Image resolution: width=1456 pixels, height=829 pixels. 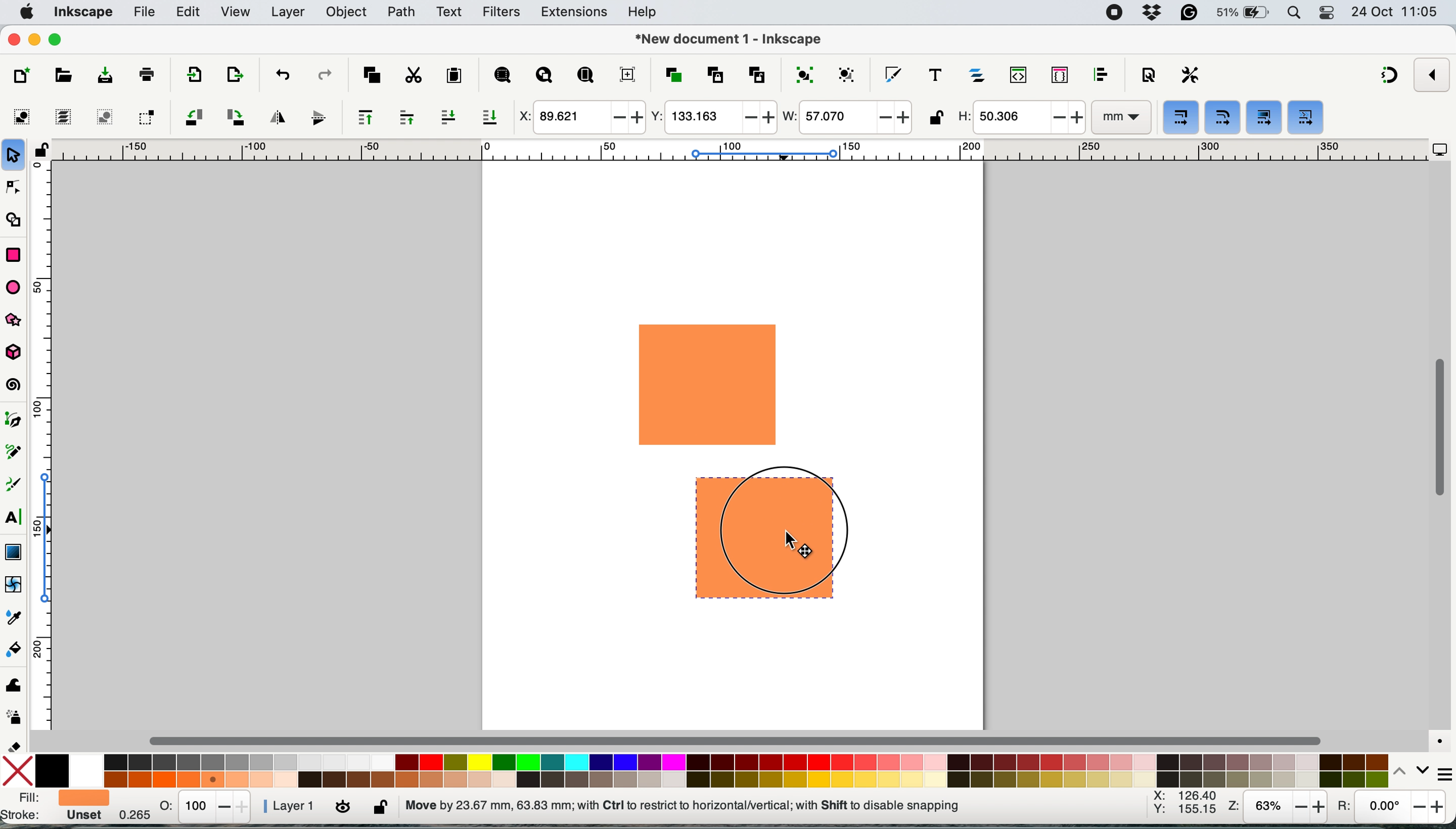 I want to click on print, so click(x=147, y=73).